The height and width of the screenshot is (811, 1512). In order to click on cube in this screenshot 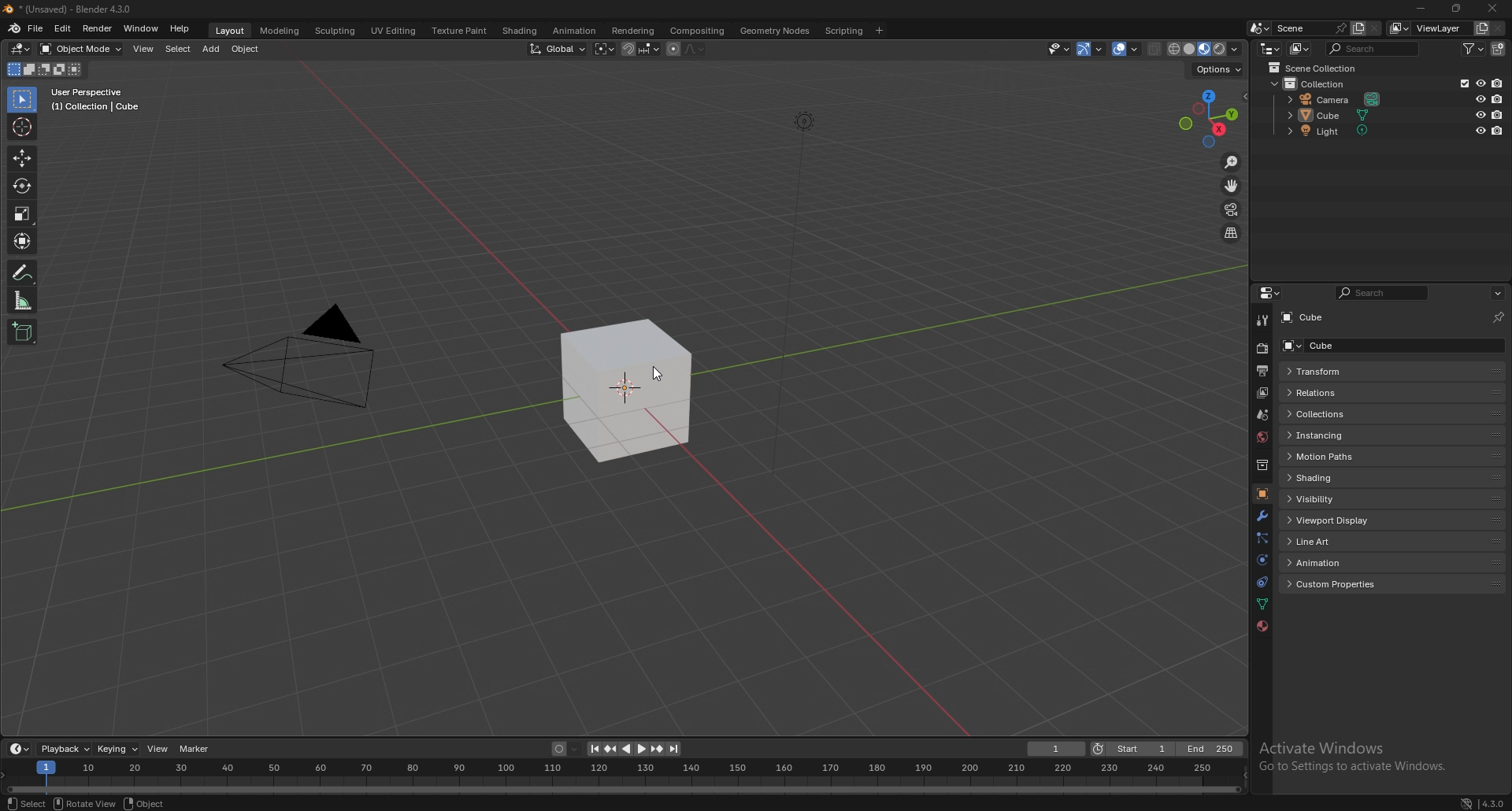, I will do `click(1332, 114)`.